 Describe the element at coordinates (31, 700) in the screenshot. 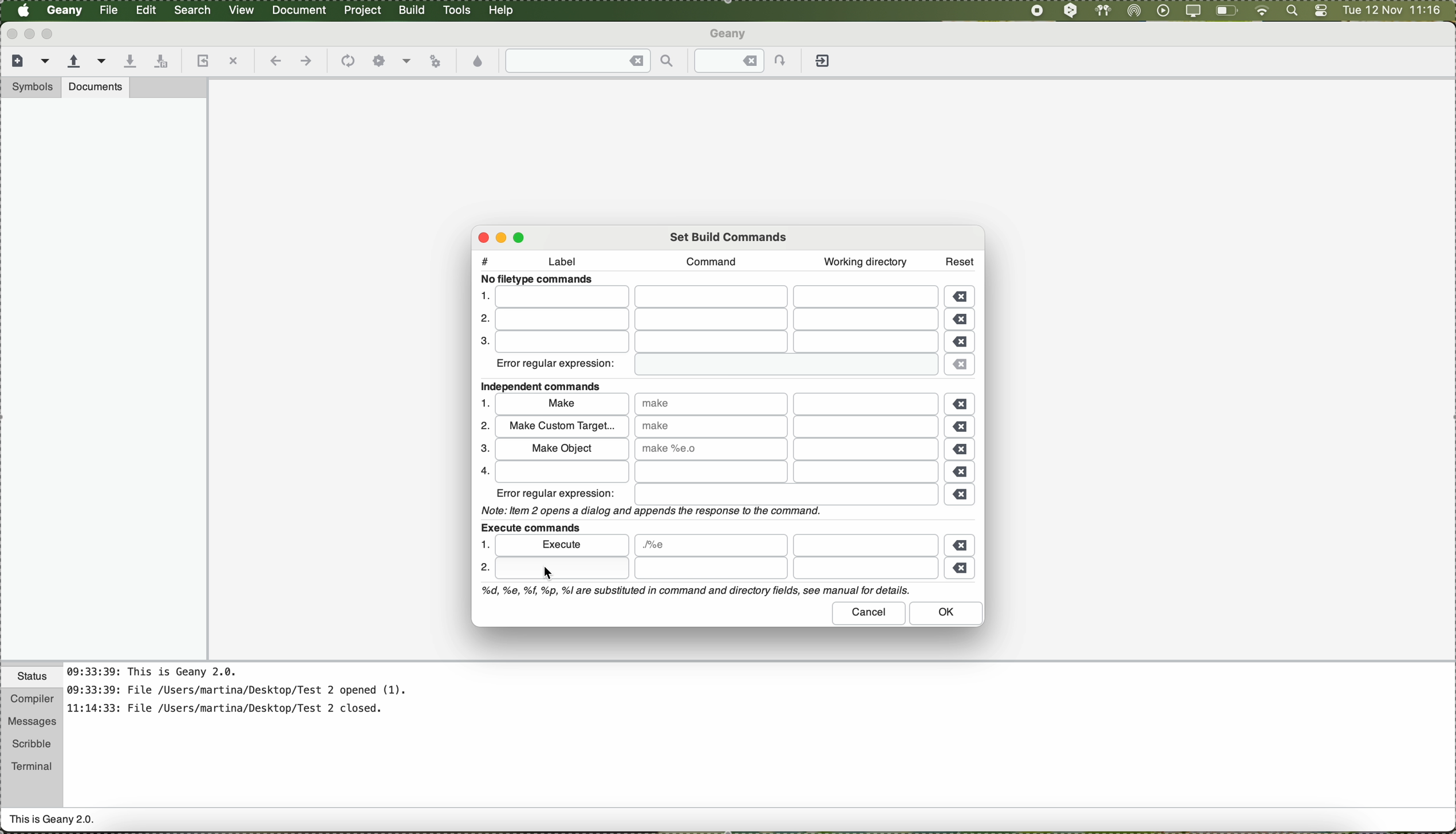

I see `compiler` at that location.